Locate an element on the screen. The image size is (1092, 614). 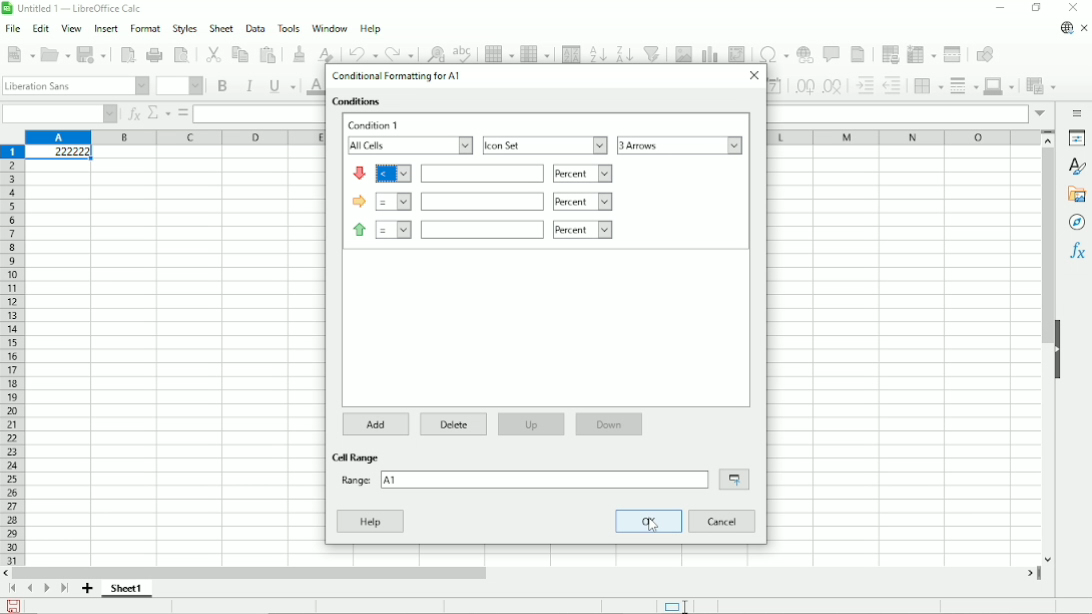
Copy is located at coordinates (239, 53).